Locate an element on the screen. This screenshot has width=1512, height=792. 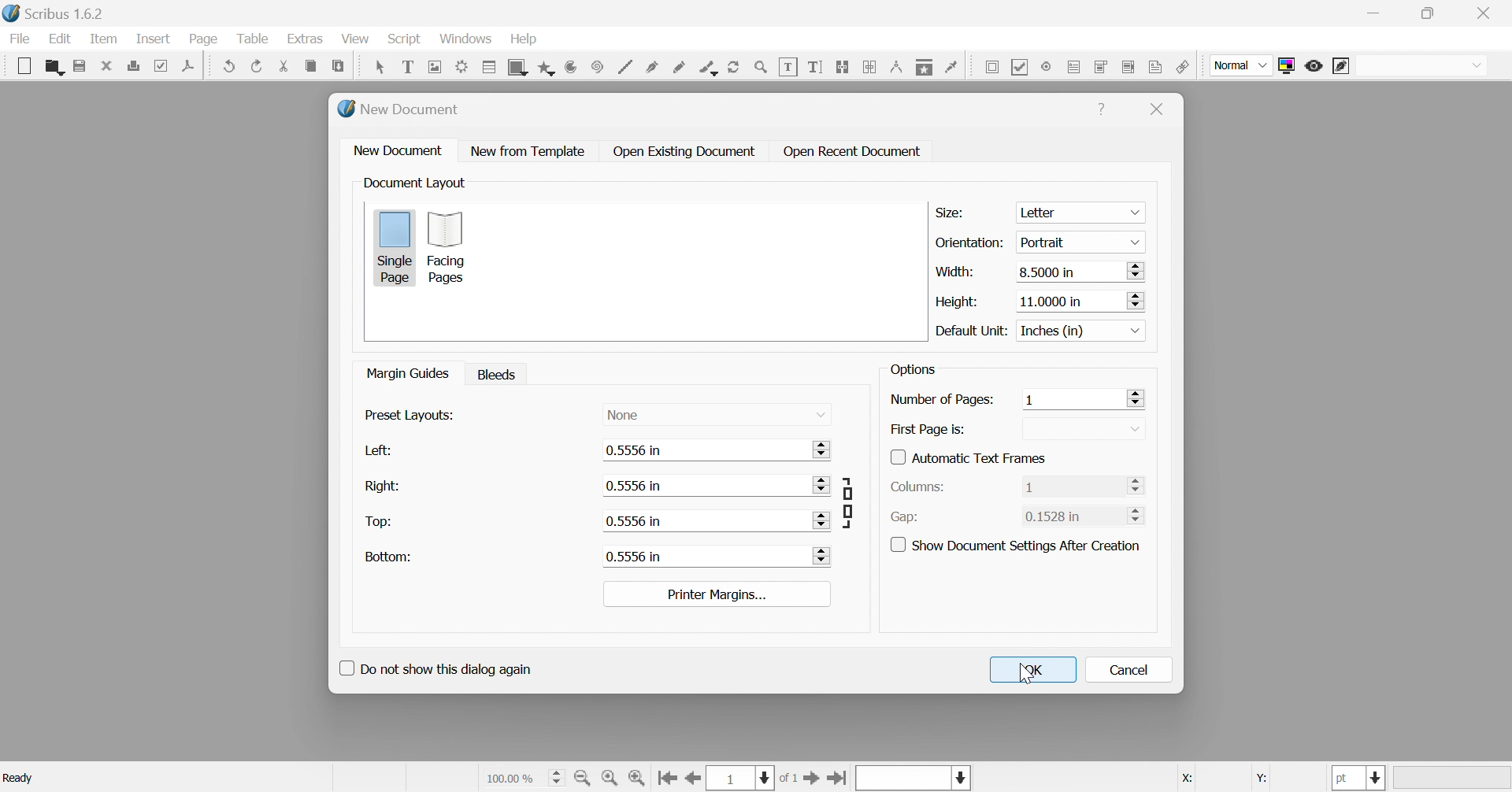
select current unit is located at coordinates (1360, 779).